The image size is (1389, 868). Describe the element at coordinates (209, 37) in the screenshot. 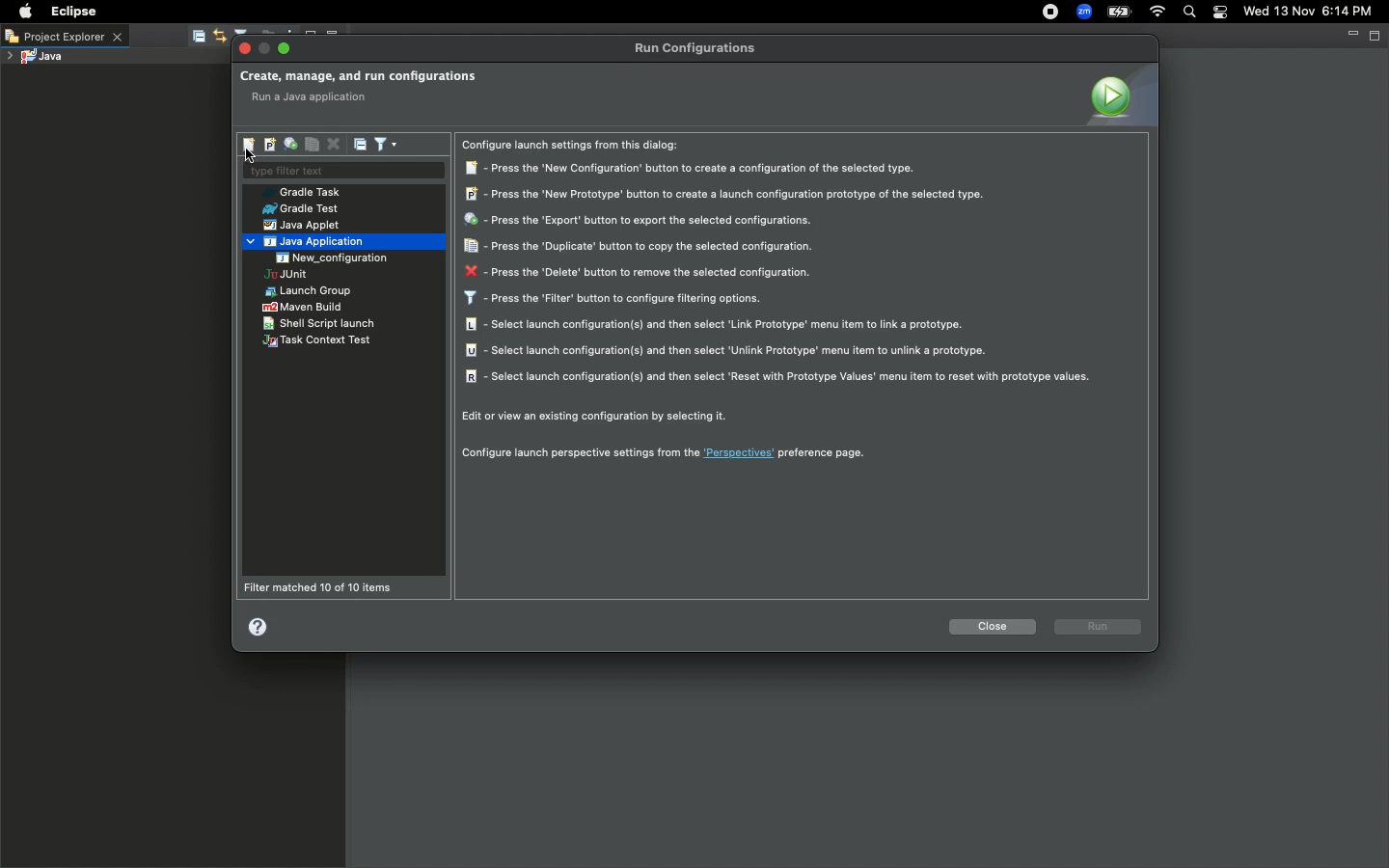

I see `icons` at that location.